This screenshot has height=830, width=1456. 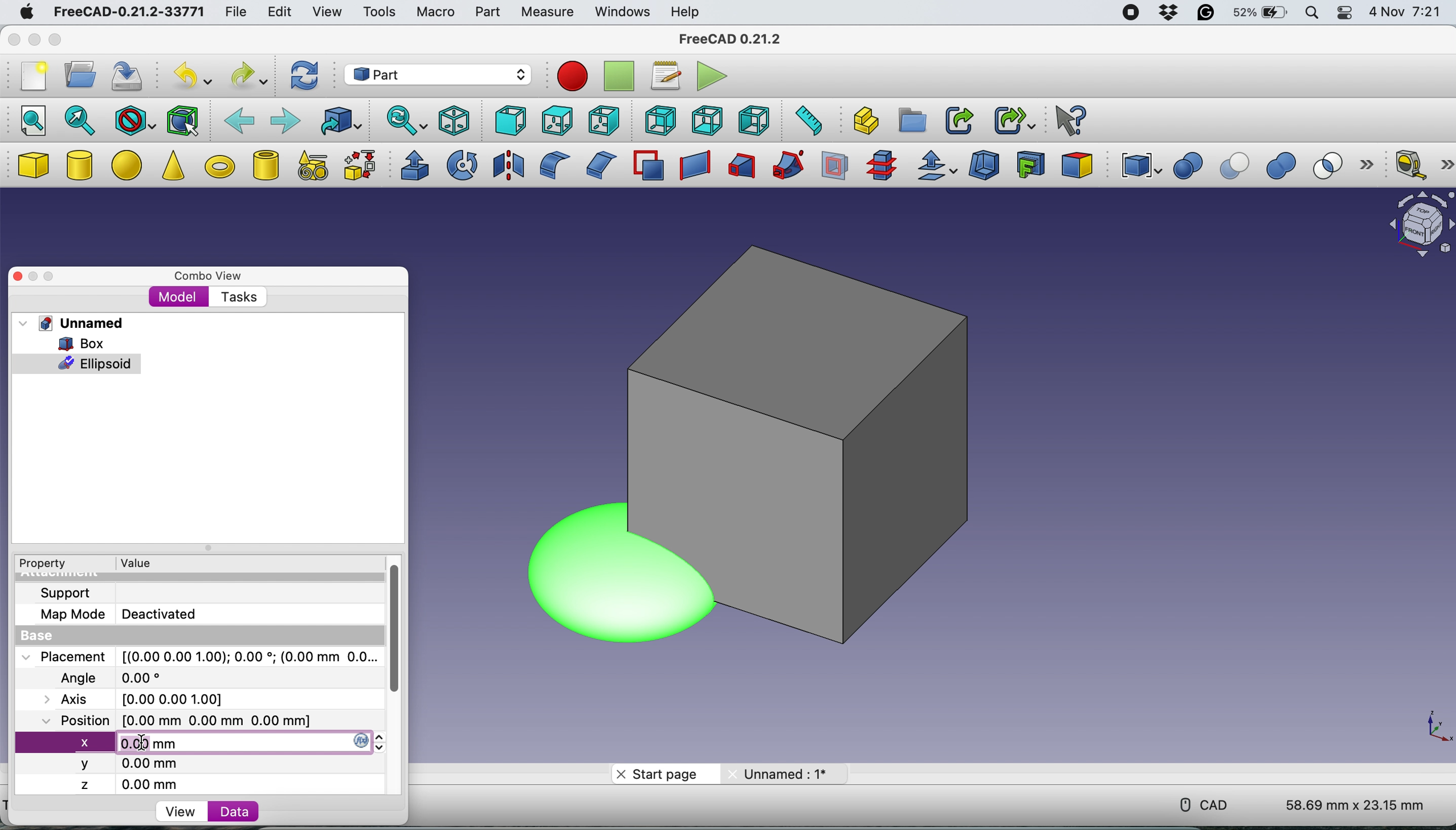 I want to click on box, so click(x=78, y=343).